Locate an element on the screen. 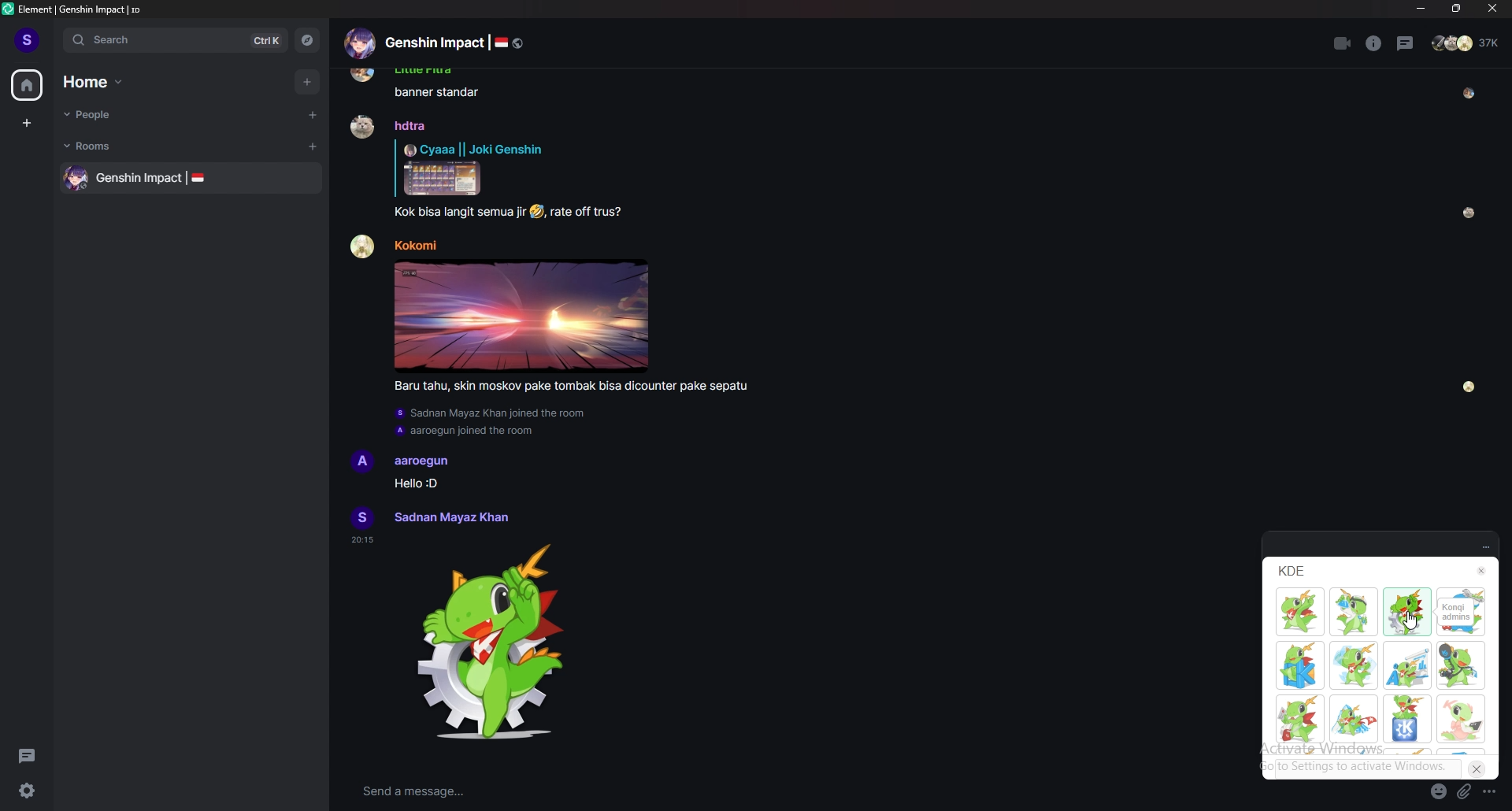  Katie konsole is located at coordinates (1461, 719).